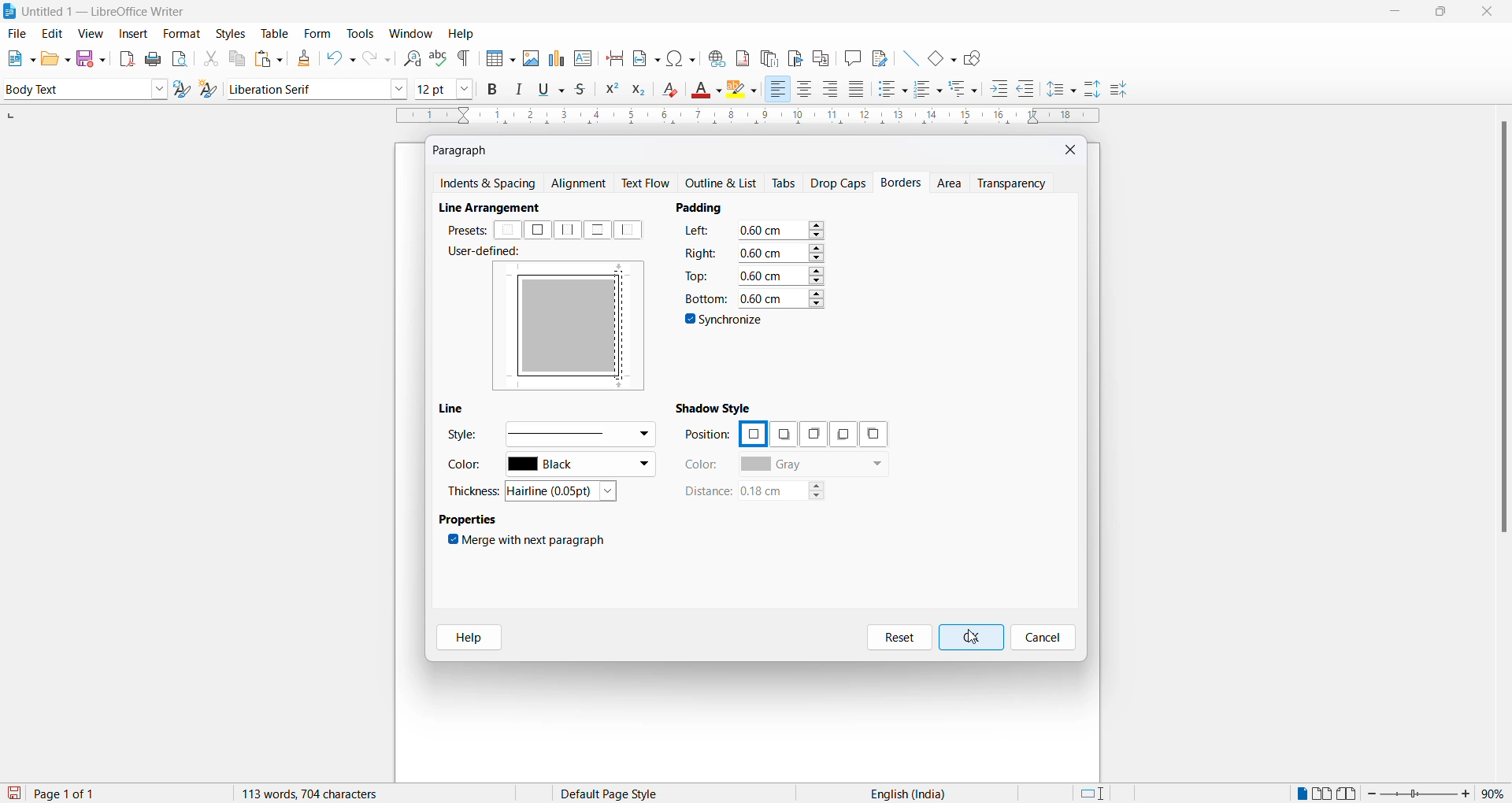 The height and width of the screenshot is (803, 1512). I want to click on insert chart, so click(556, 60).